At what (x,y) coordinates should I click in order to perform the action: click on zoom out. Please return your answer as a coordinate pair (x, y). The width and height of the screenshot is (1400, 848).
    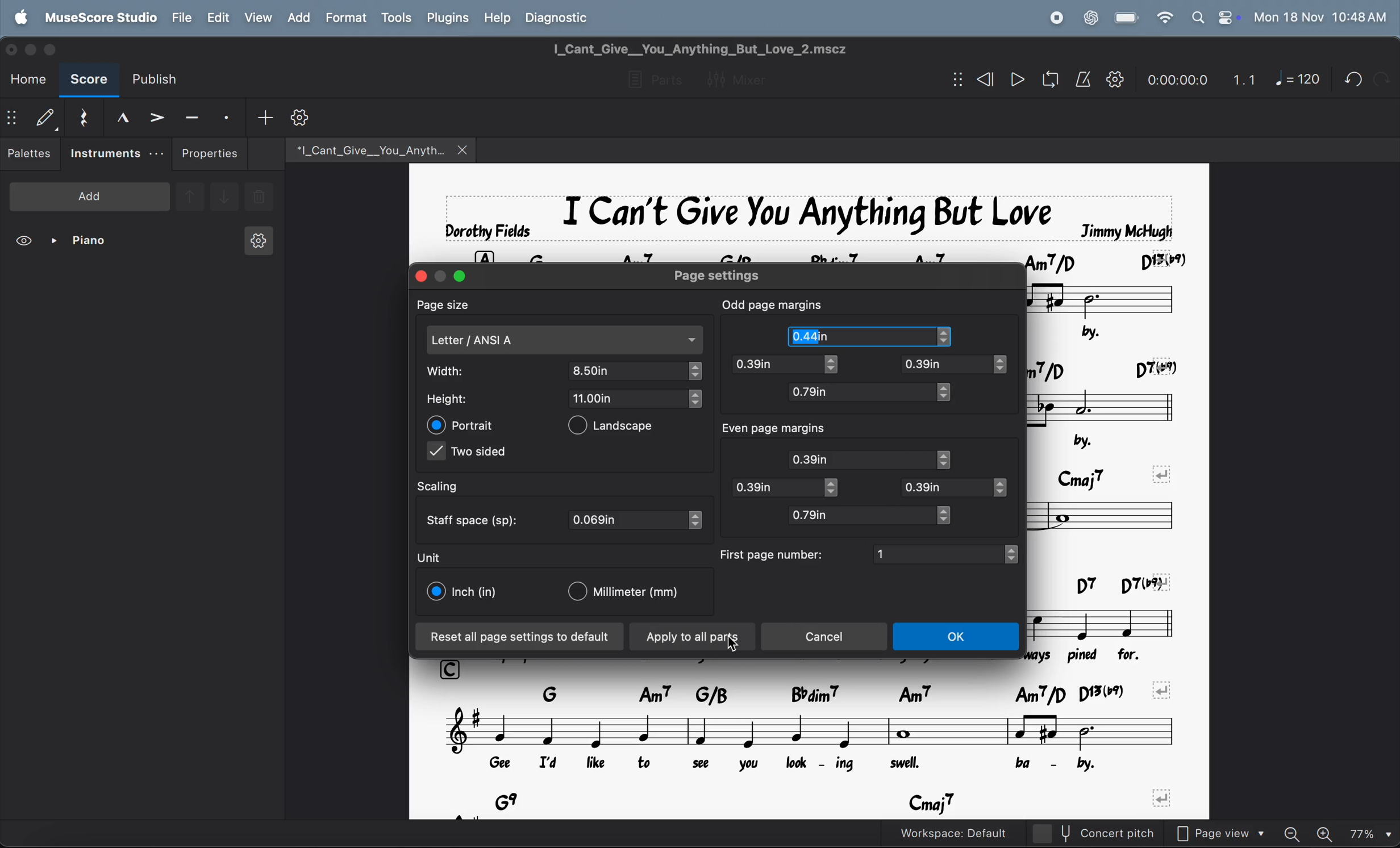
    Looking at the image, I should click on (1297, 830).